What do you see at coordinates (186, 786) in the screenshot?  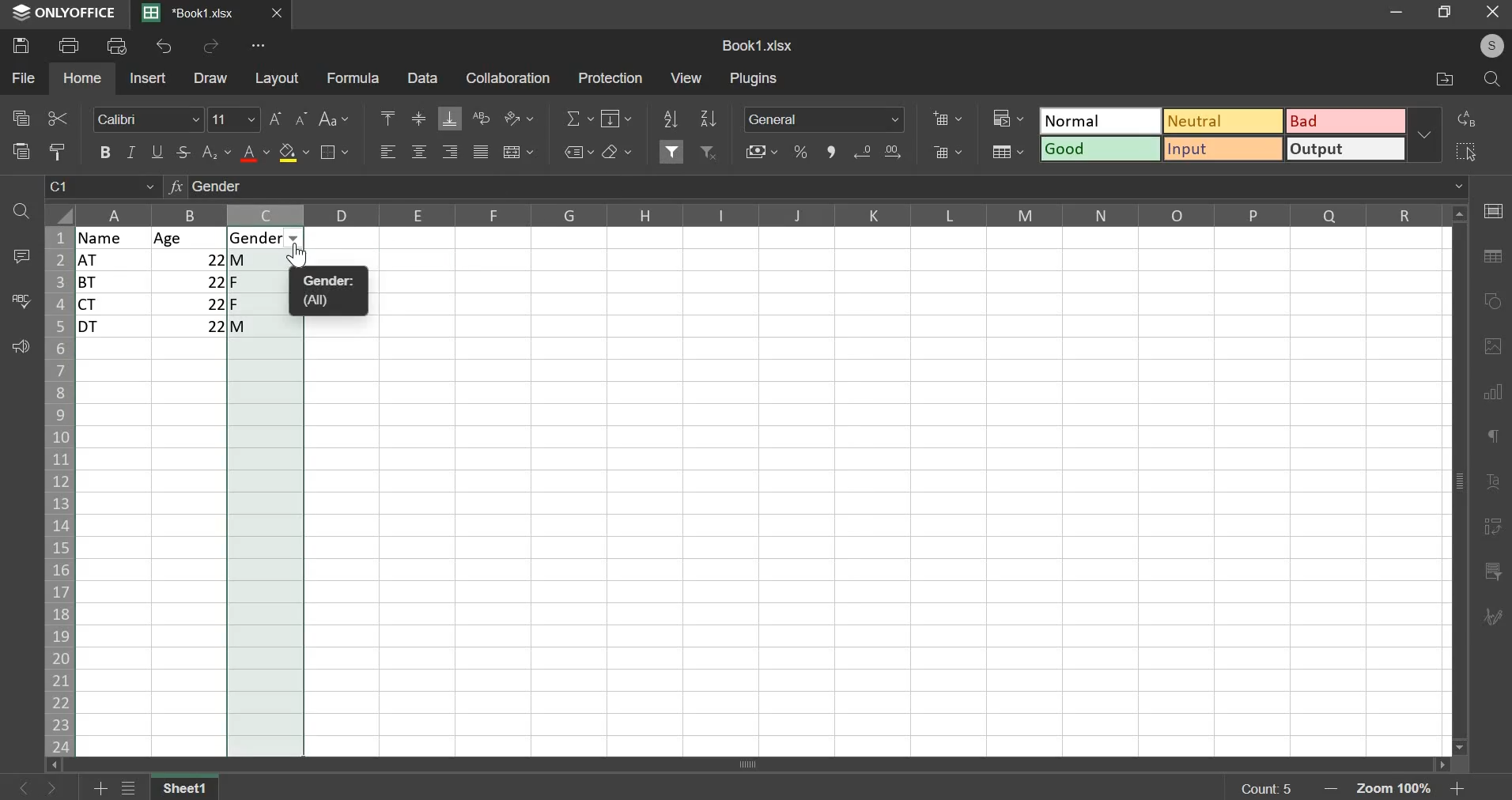 I see `sheet 1` at bounding box center [186, 786].